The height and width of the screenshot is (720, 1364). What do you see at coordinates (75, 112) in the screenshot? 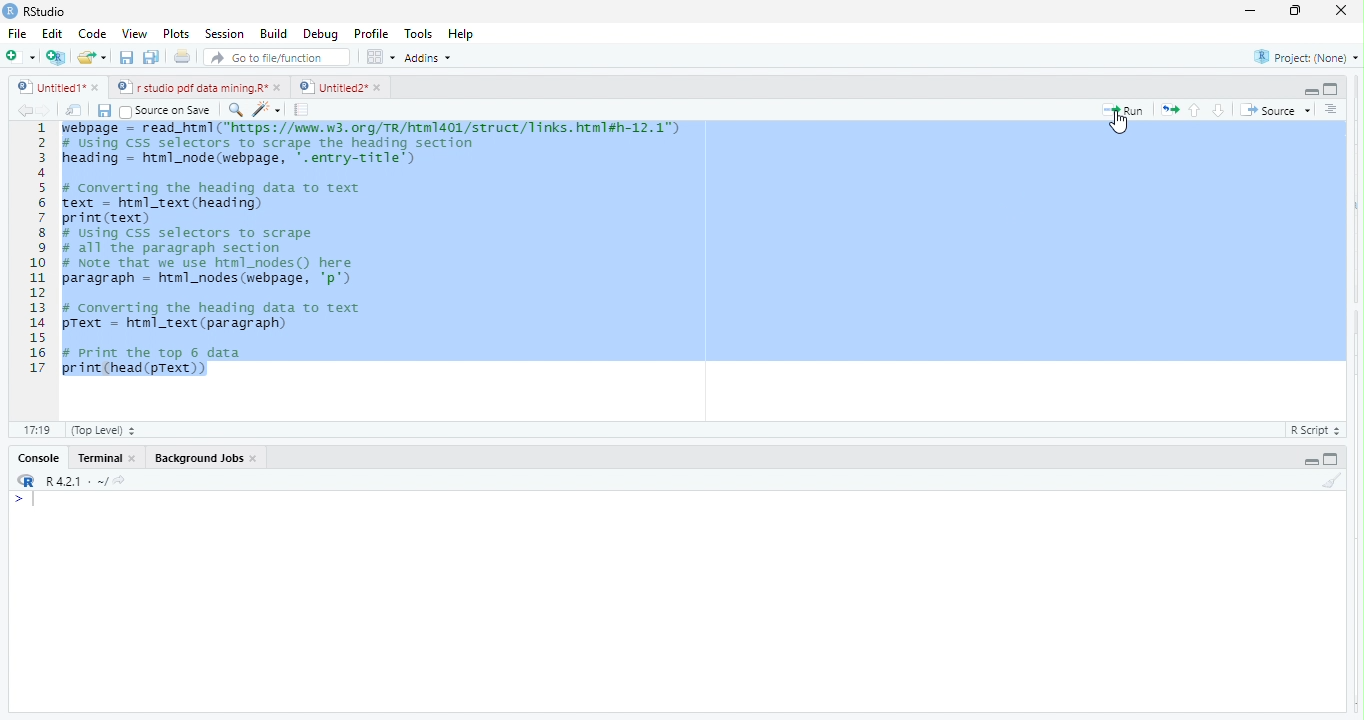
I see `show in new window` at bounding box center [75, 112].